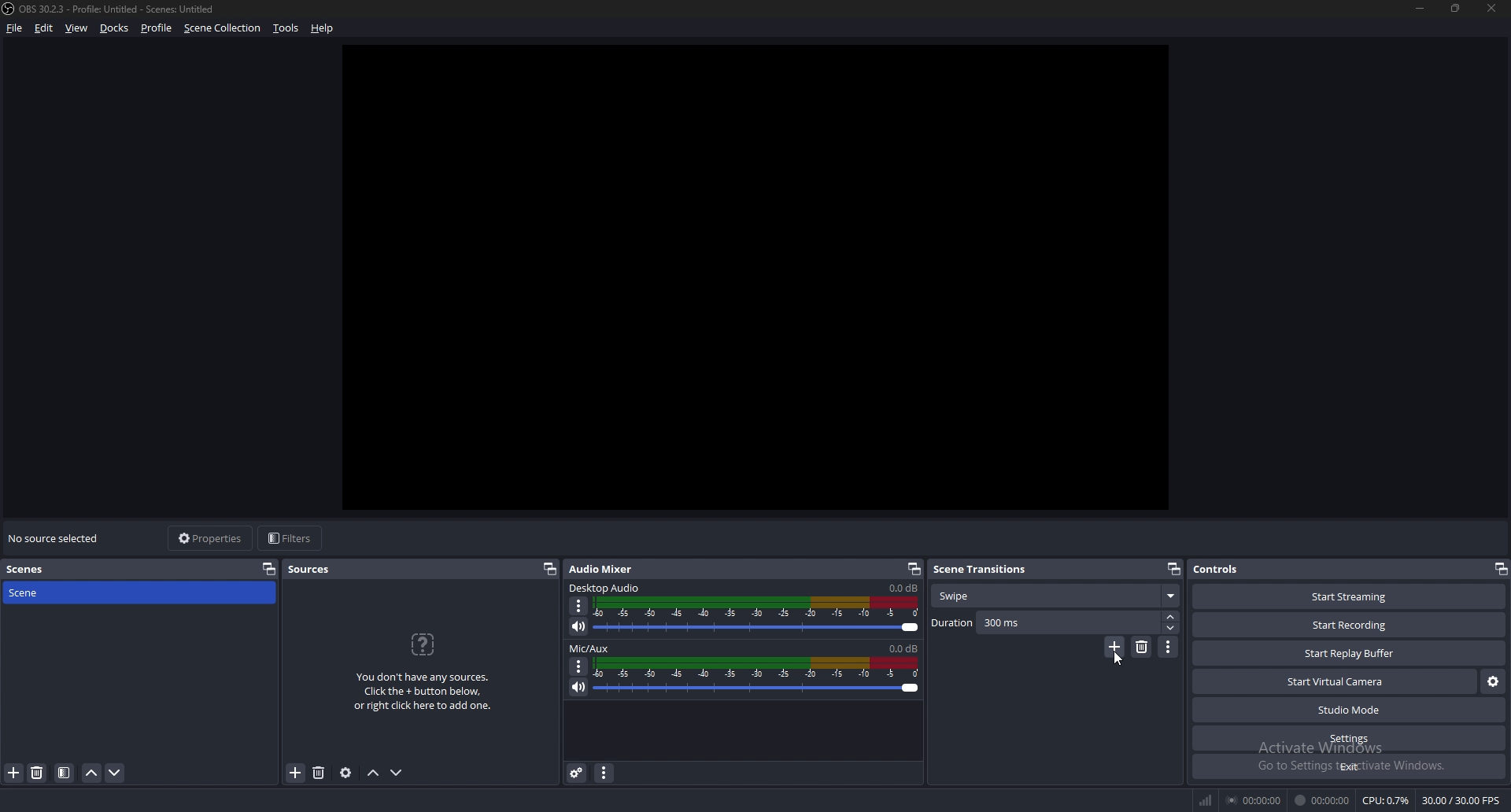 Image resolution: width=1511 pixels, height=812 pixels. I want to click on move scene up, so click(91, 773).